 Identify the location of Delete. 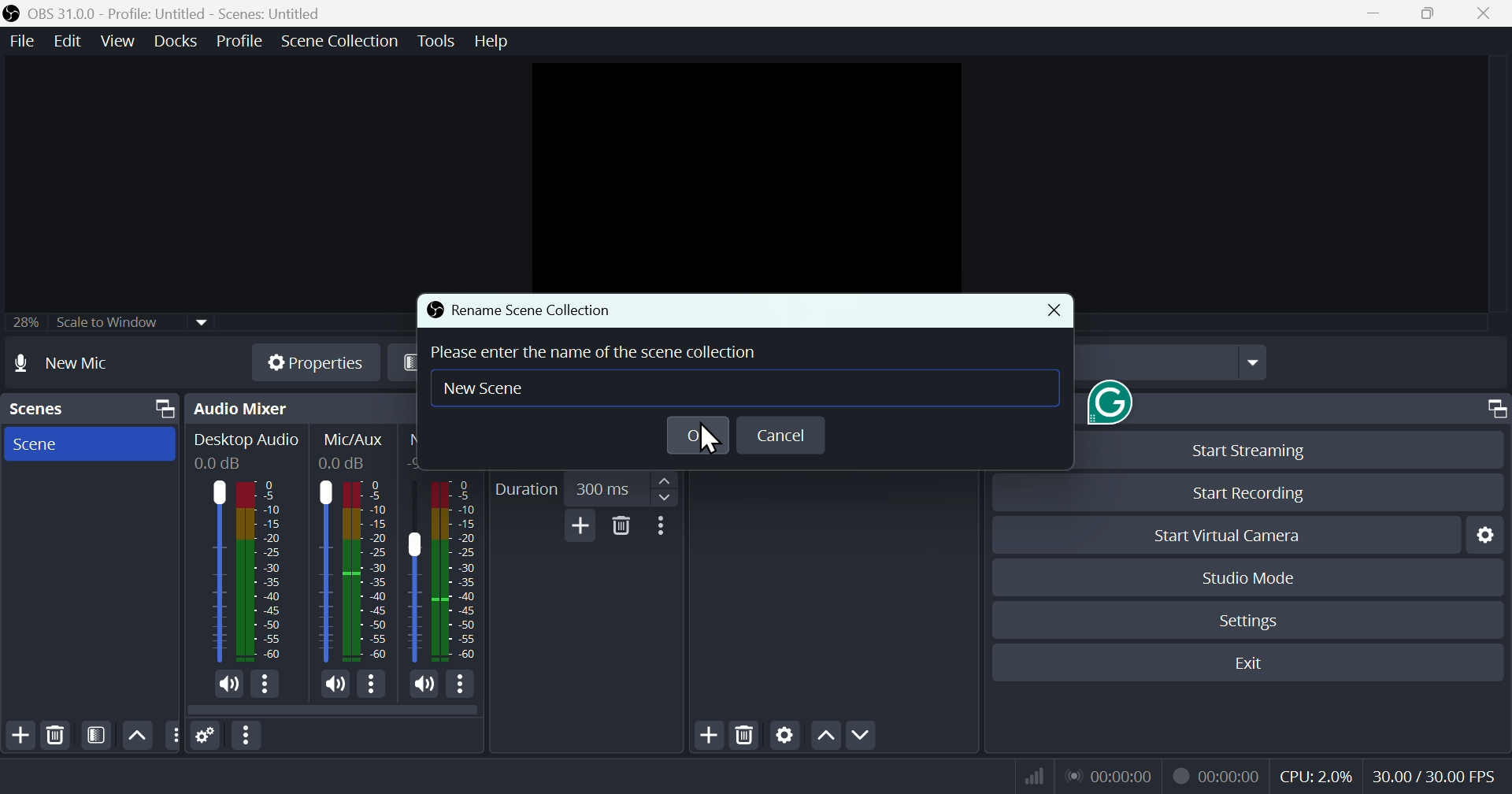
(746, 734).